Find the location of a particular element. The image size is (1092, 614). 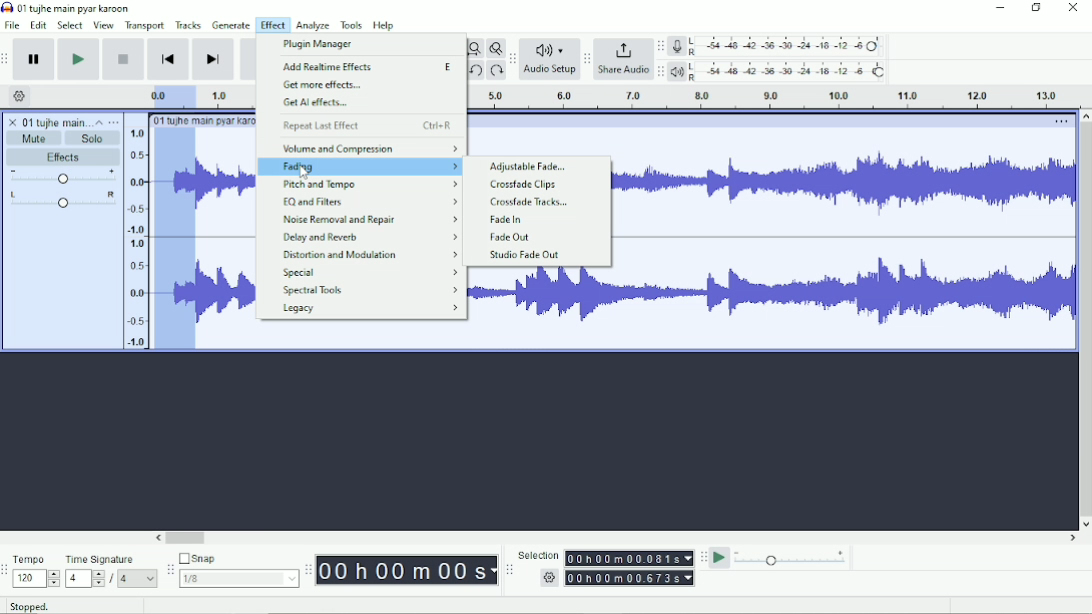

Audio Logo is located at coordinates (550, 46).